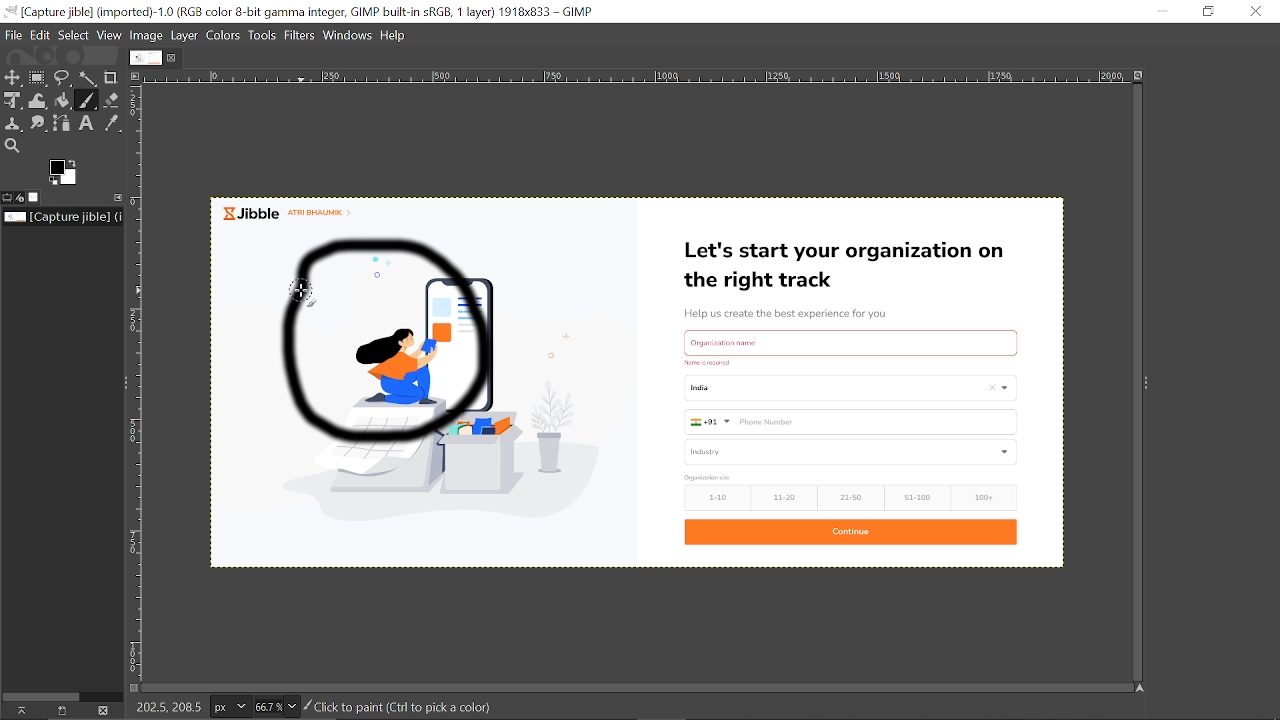 This screenshot has width=1280, height=720. What do you see at coordinates (413, 348) in the screenshot?
I see `Circle drawn using paintbrush` at bounding box center [413, 348].